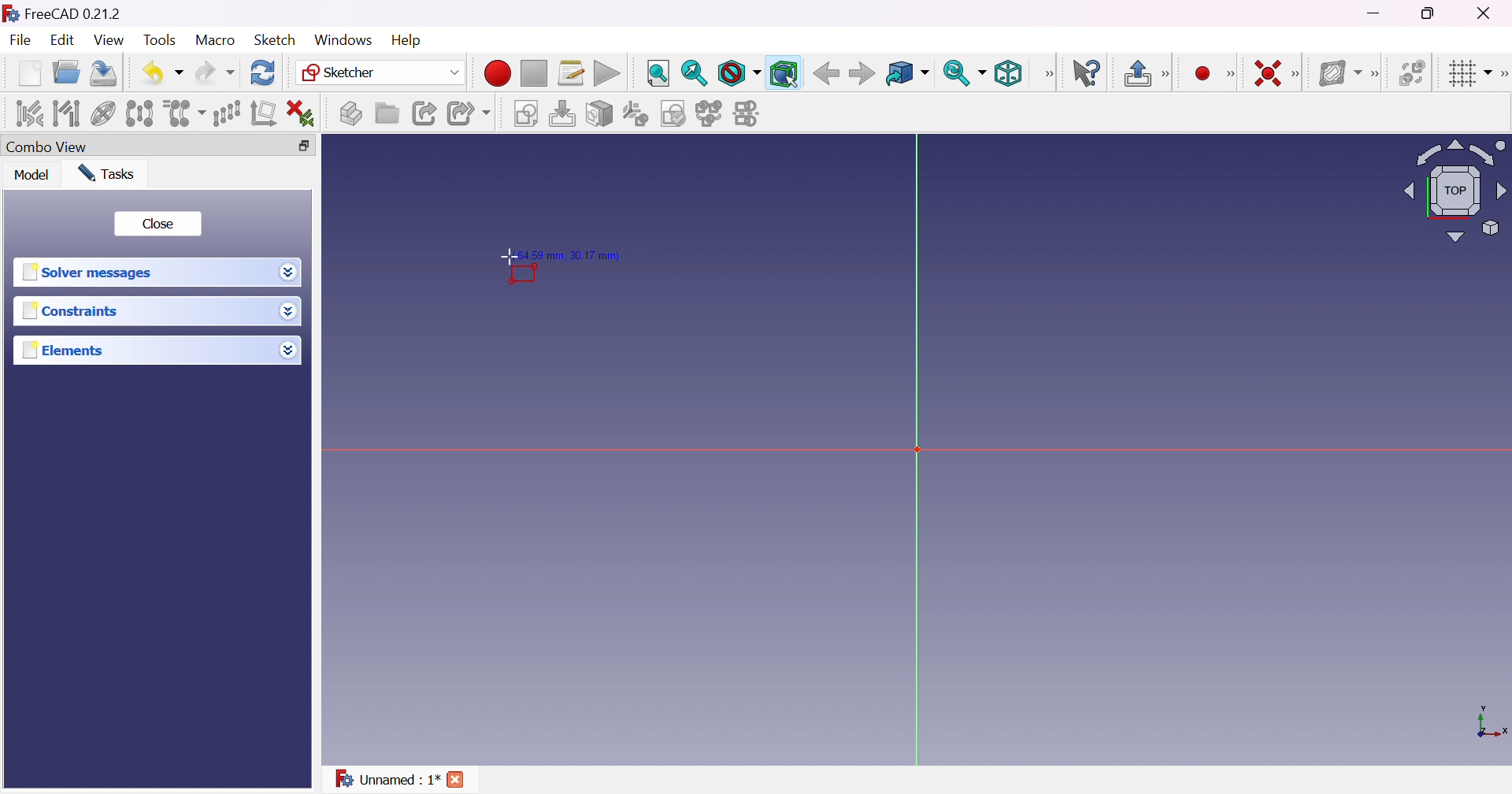 The image size is (1512, 794). I want to click on [Sketcher edit tools], so click(1503, 74).